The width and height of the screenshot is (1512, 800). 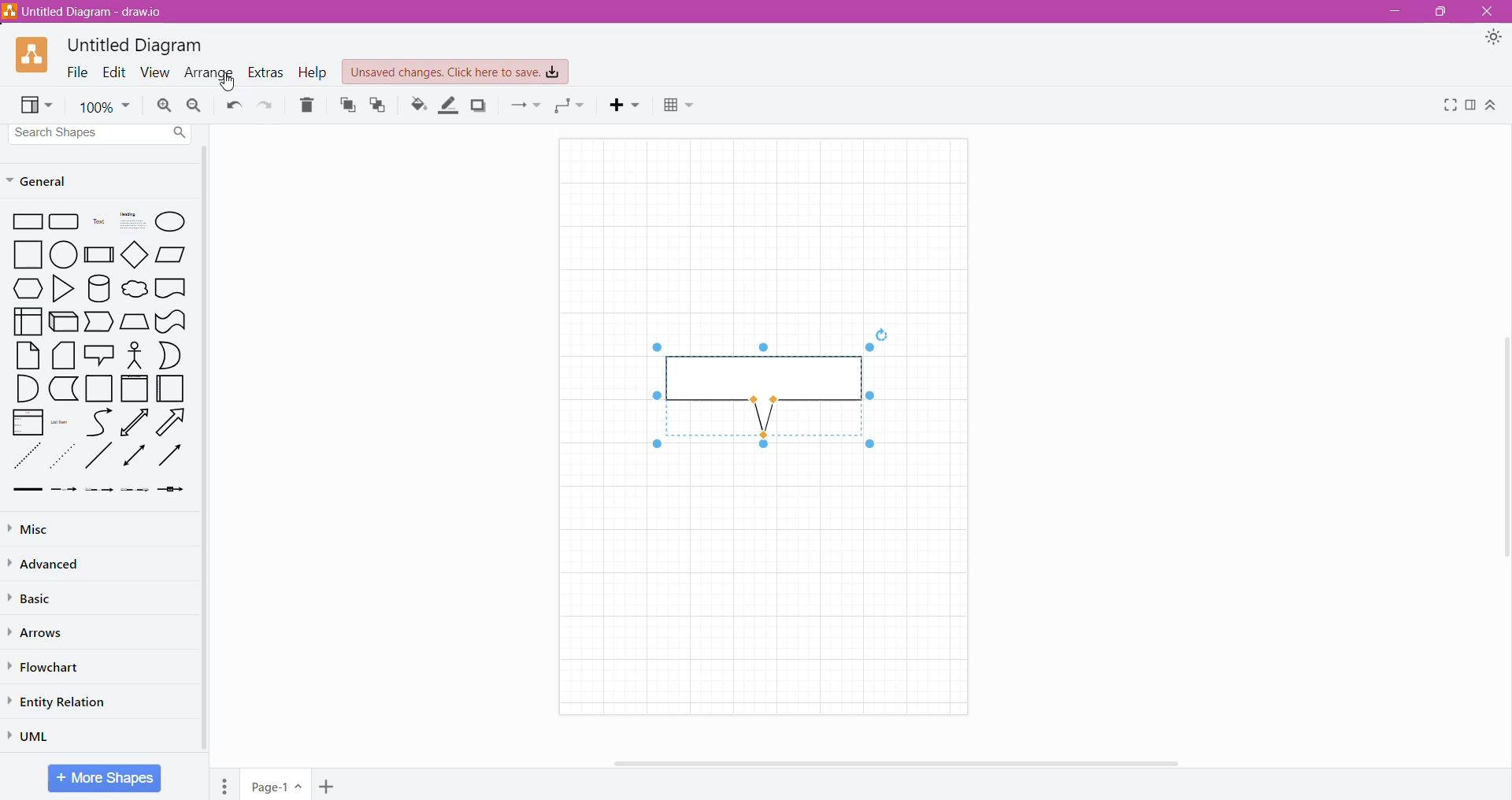 What do you see at coordinates (104, 778) in the screenshot?
I see `More Shapes` at bounding box center [104, 778].